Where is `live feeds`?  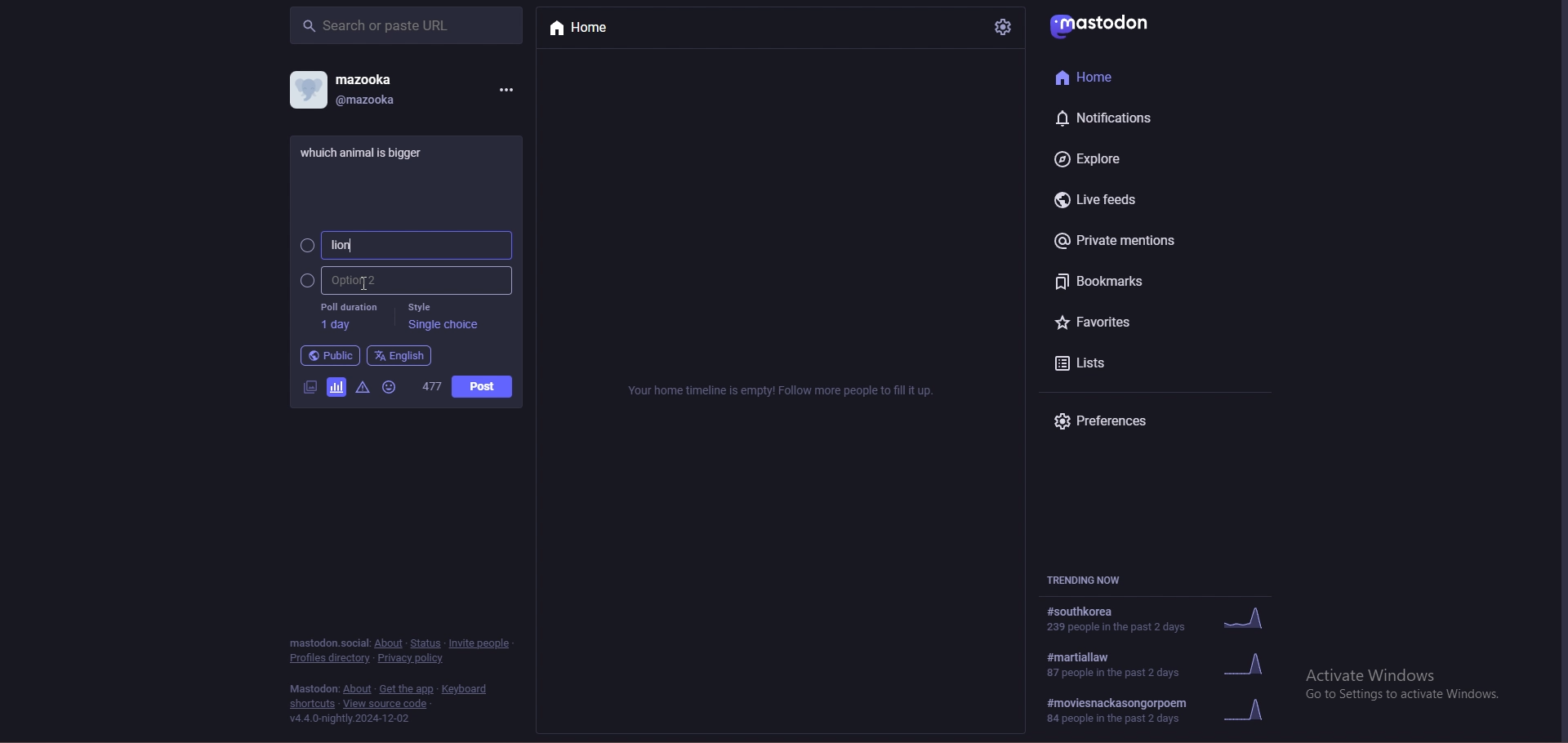 live feeds is located at coordinates (1104, 200).